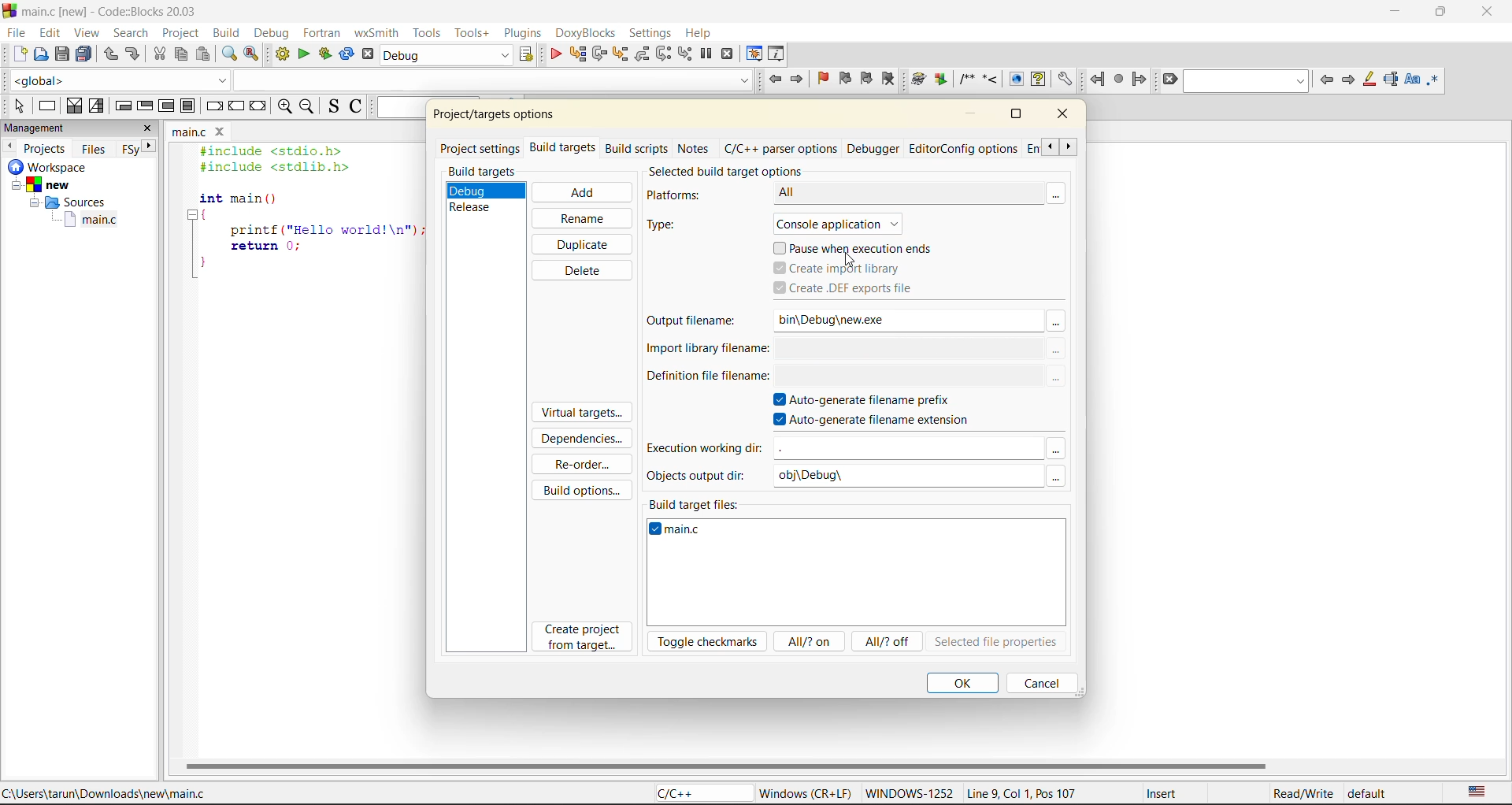  Describe the element at coordinates (963, 150) in the screenshot. I see `editor/config options` at that location.